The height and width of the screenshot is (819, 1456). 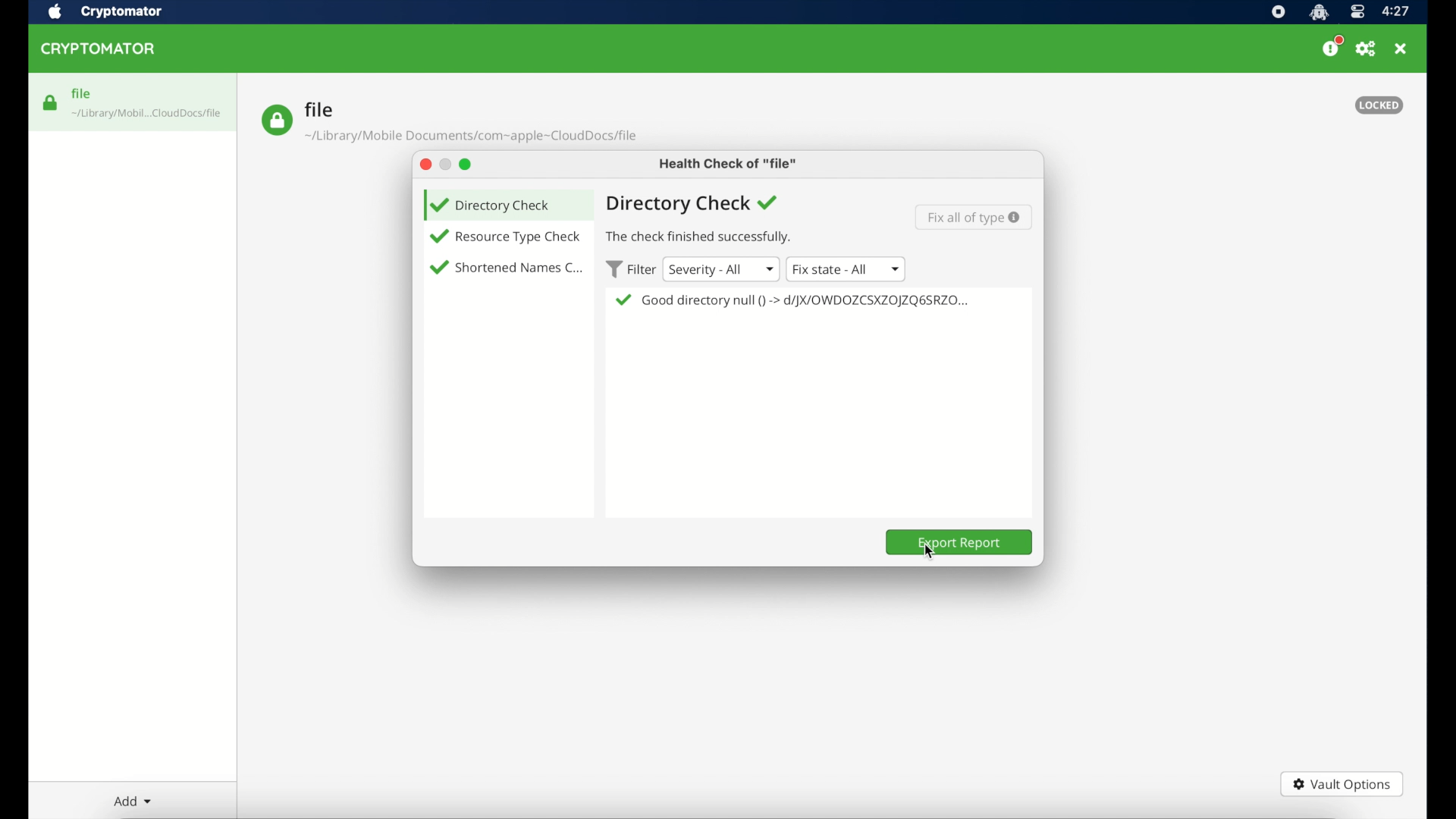 What do you see at coordinates (846, 269) in the screenshot?
I see `Fix state - All` at bounding box center [846, 269].